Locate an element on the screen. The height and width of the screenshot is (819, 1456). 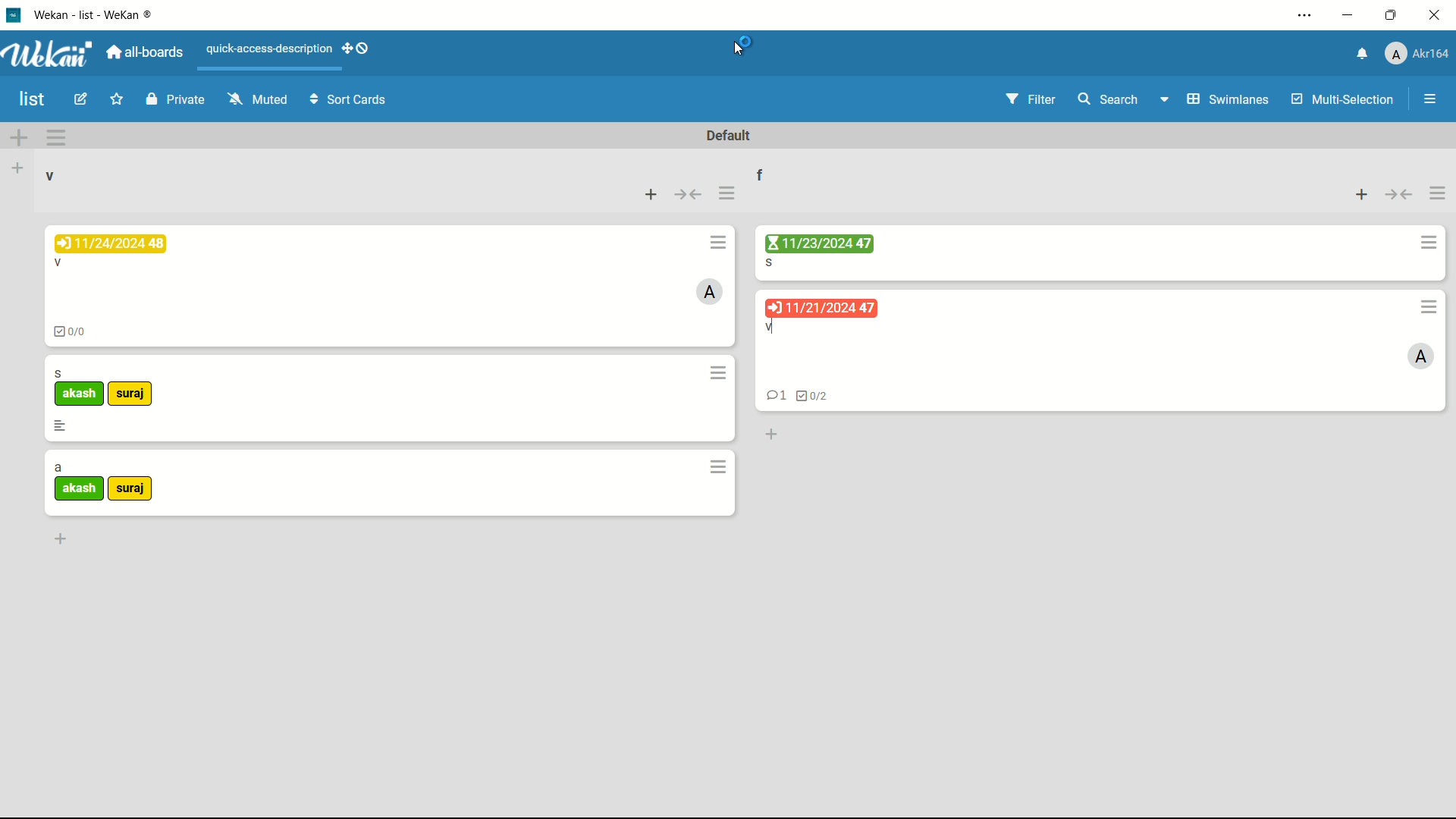
card actions is located at coordinates (1430, 306).